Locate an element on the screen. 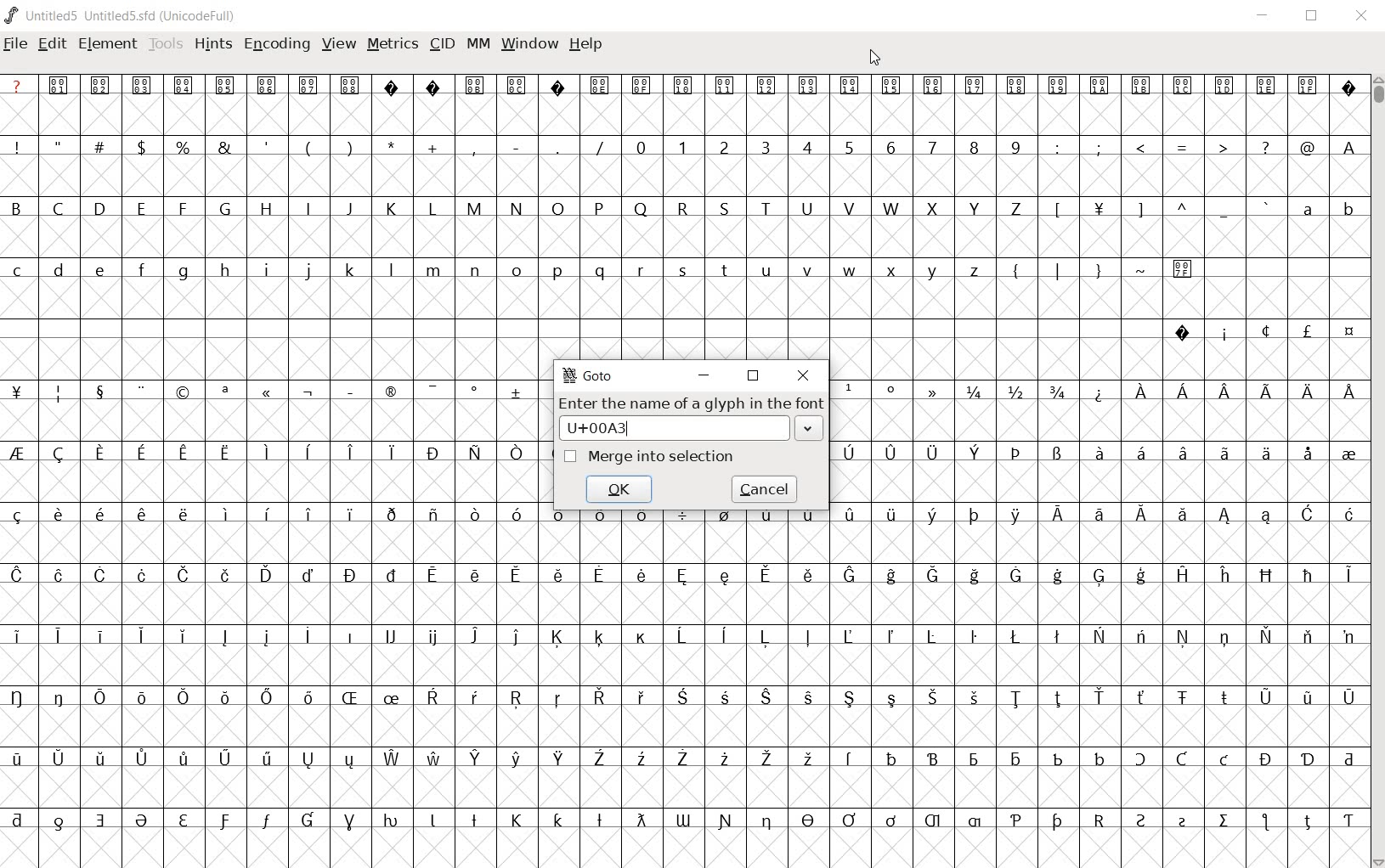 The width and height of the screenshot is (1385, 868). Symbol is located at coordinates (517, 84).